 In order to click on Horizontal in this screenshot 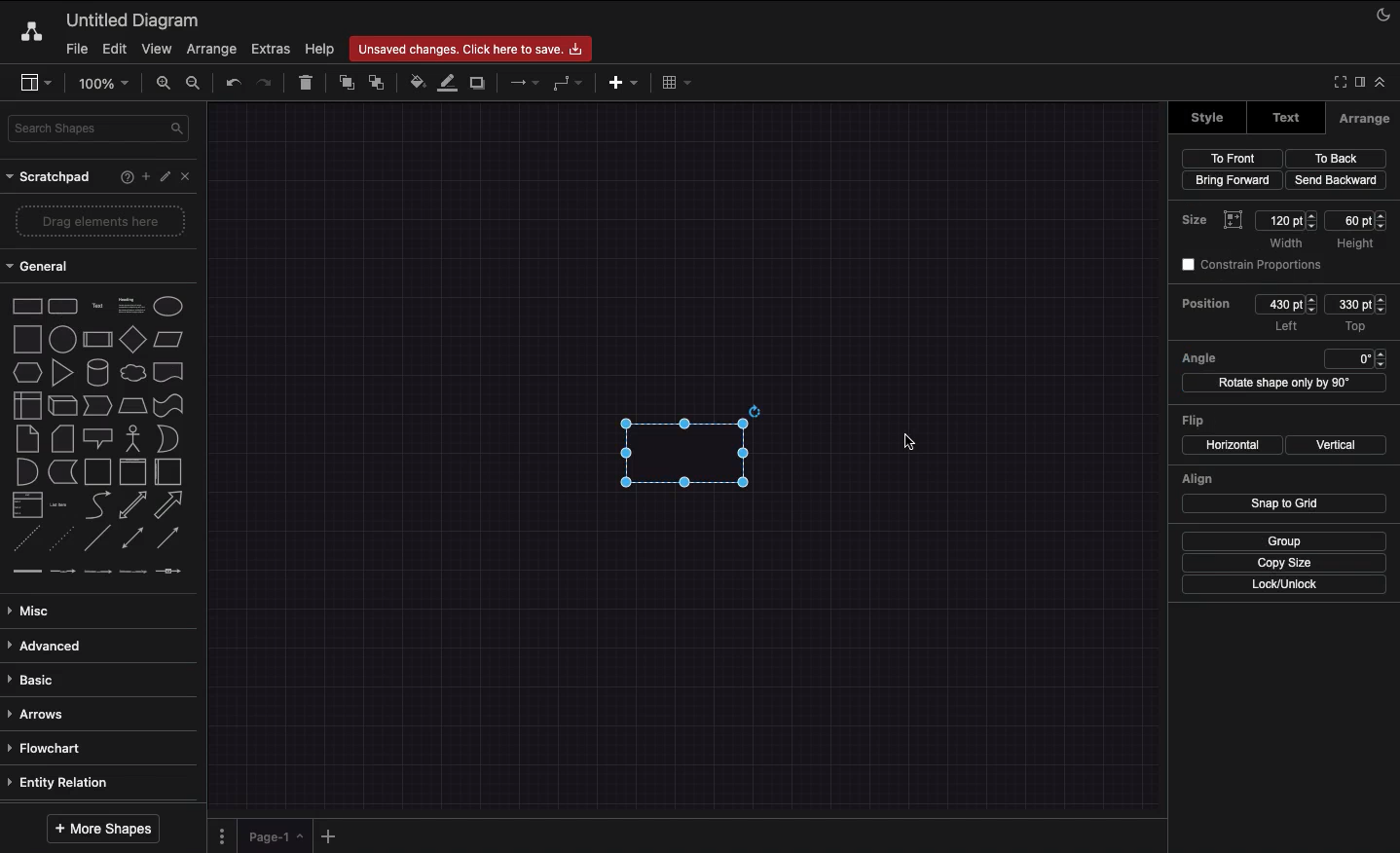, I will do `click(1228, 445)`.